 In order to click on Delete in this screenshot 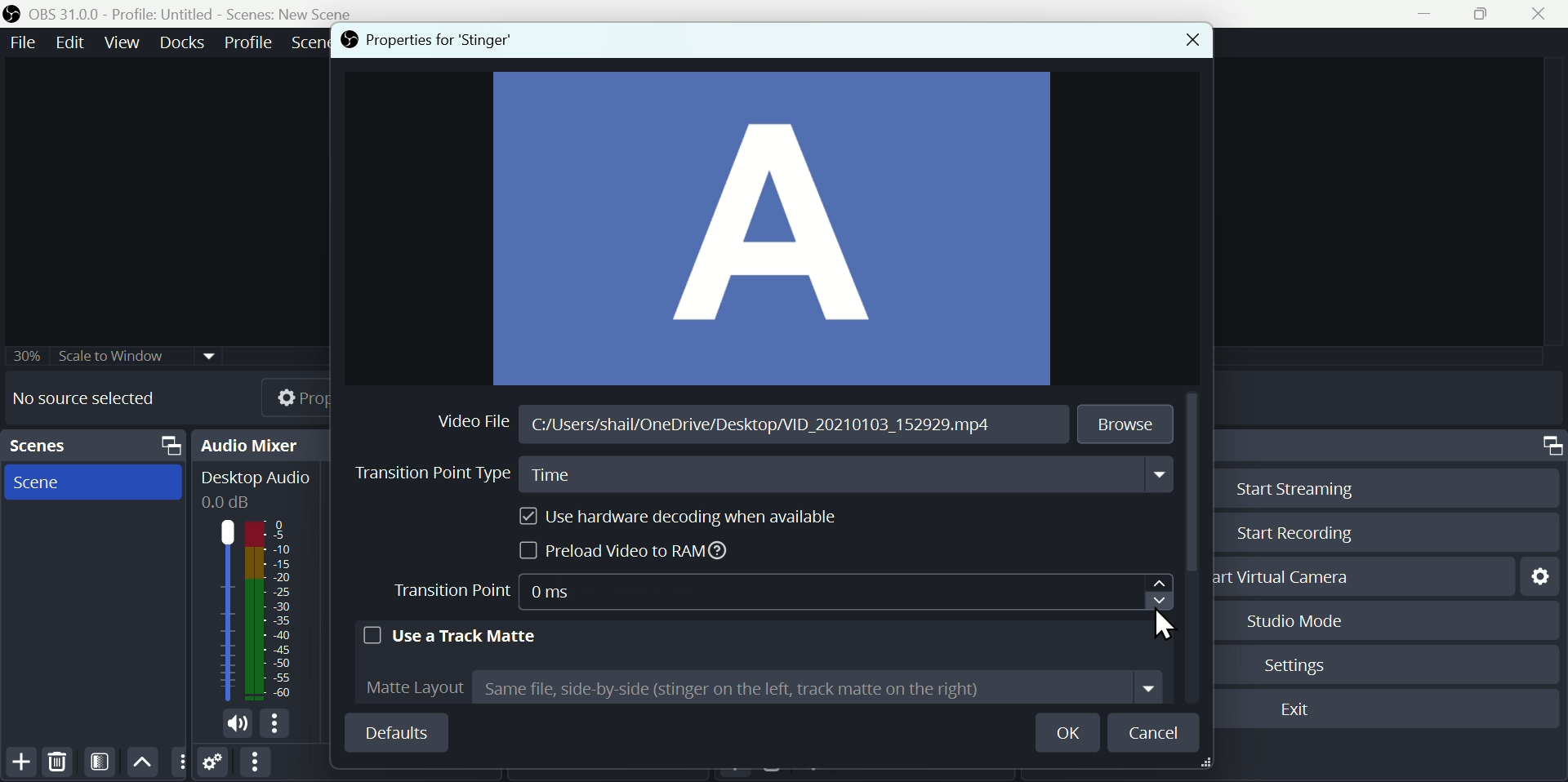, I will do `click(56, 761)`.